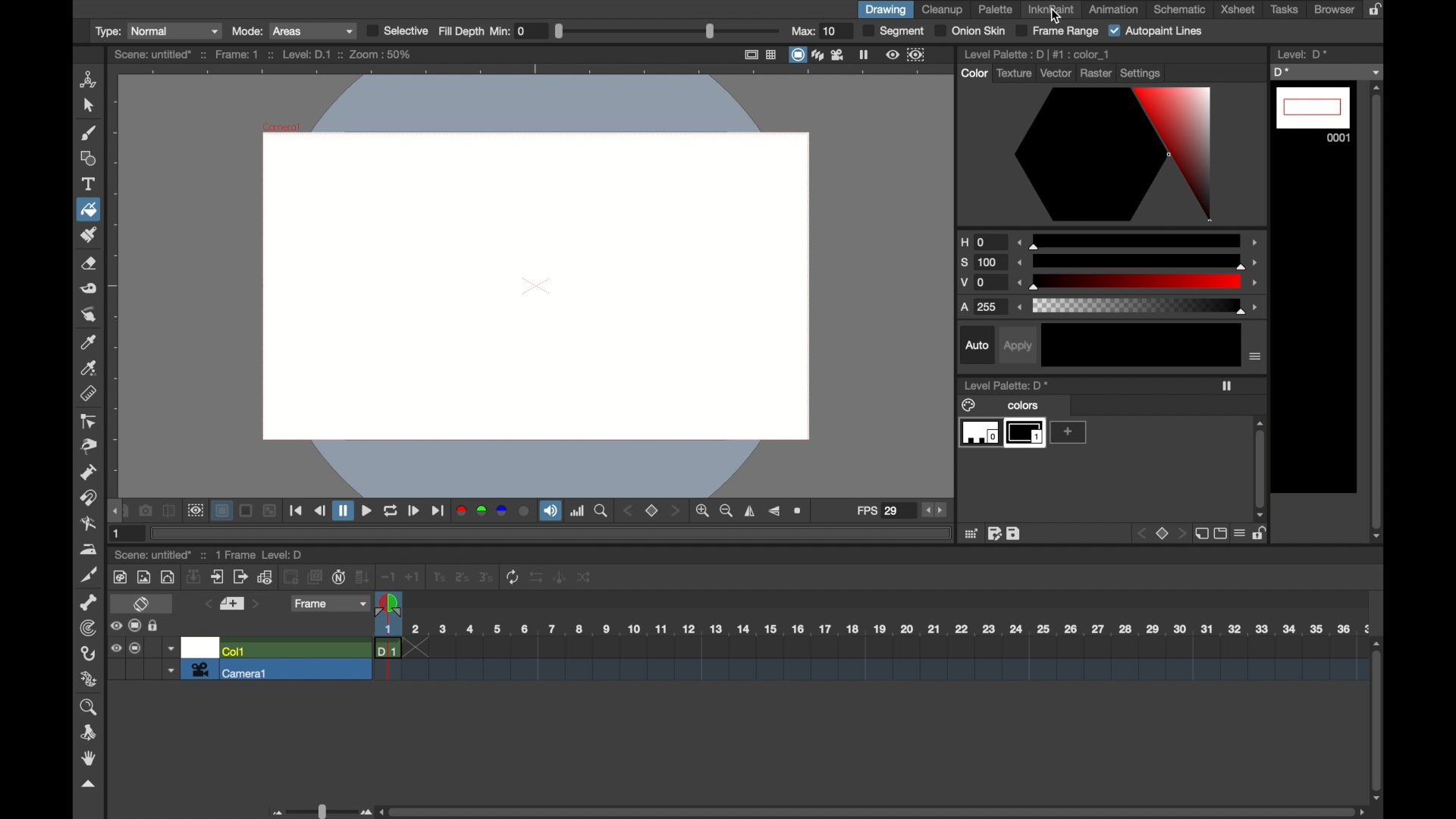  Describe the element at coordinates (526, 511) in the screenshot. I see `circle` at that location.